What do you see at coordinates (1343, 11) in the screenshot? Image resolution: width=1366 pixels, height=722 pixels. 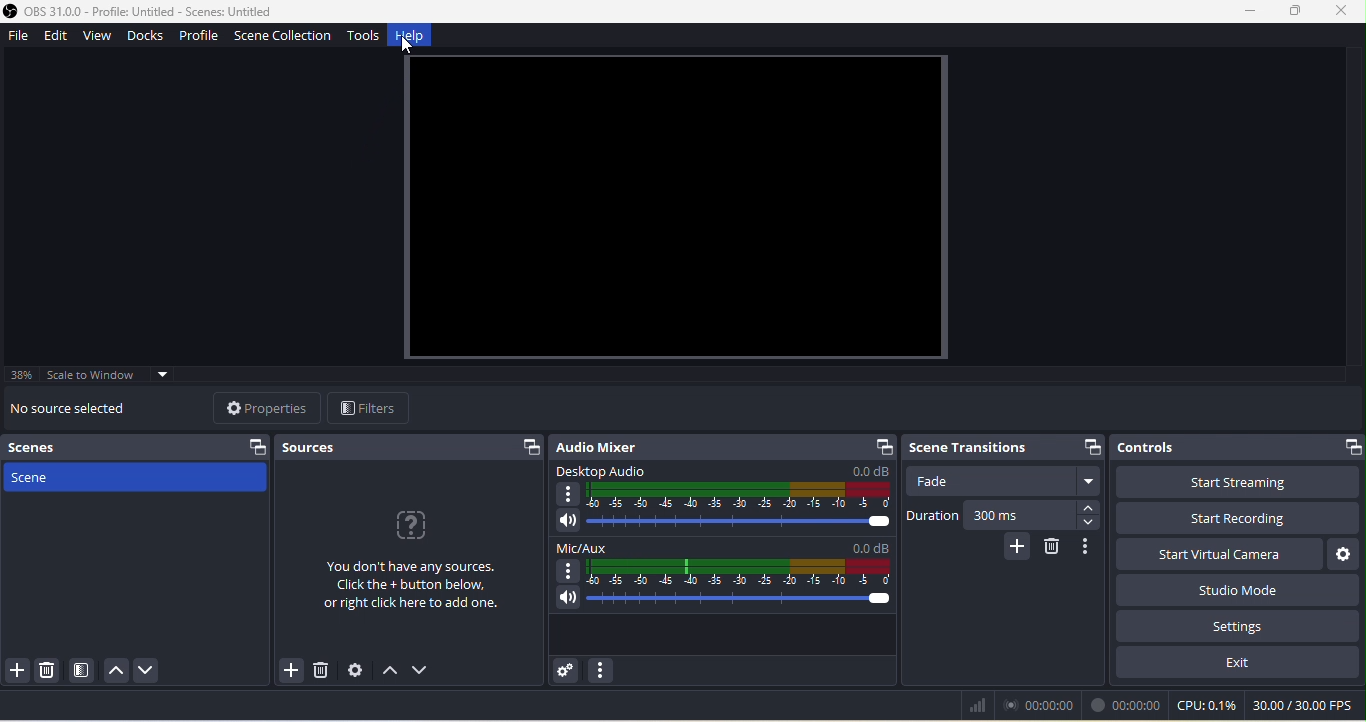 I see `close` at bounding box center [1343, 11].